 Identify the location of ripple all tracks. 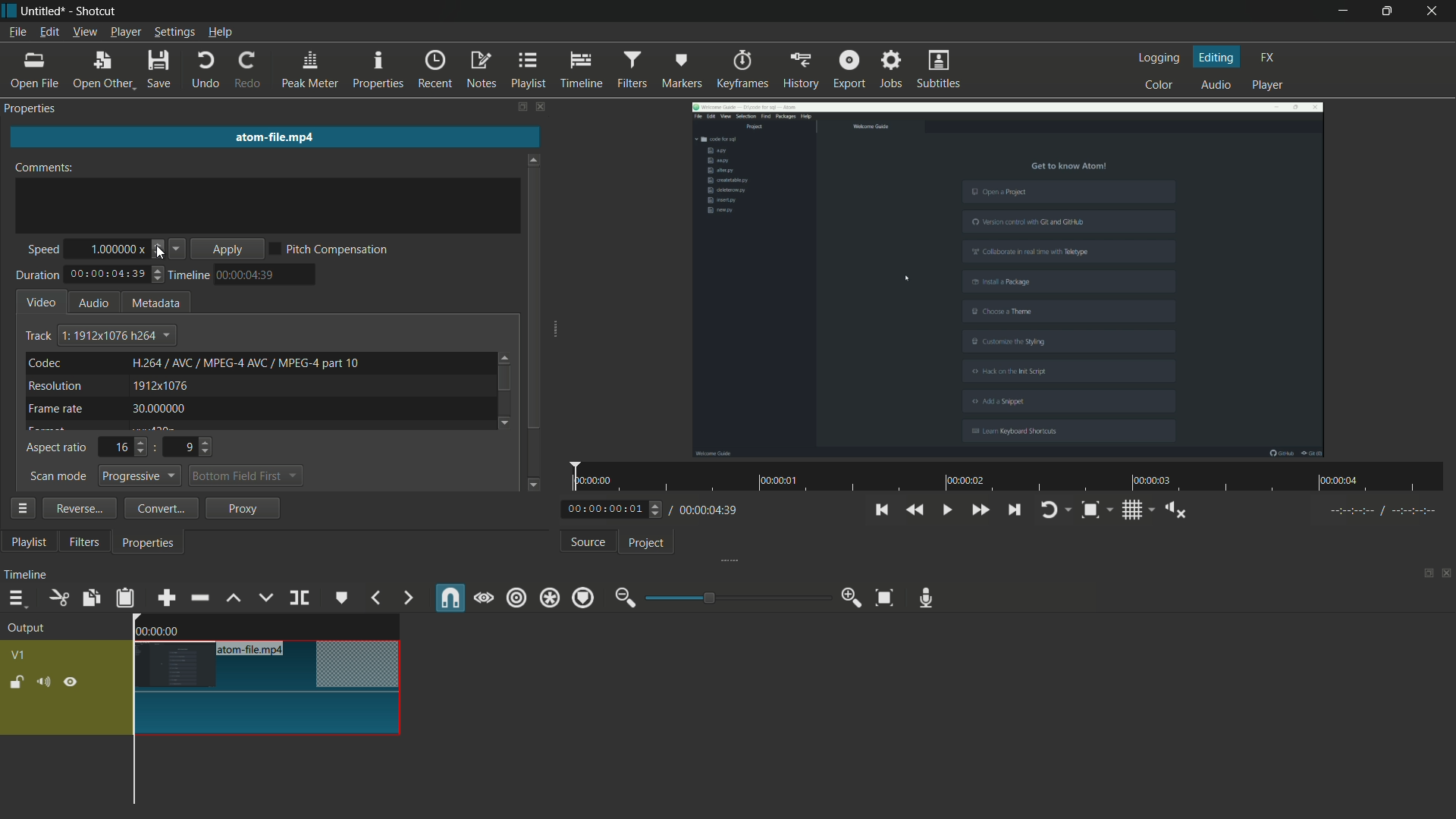
(548, 598).